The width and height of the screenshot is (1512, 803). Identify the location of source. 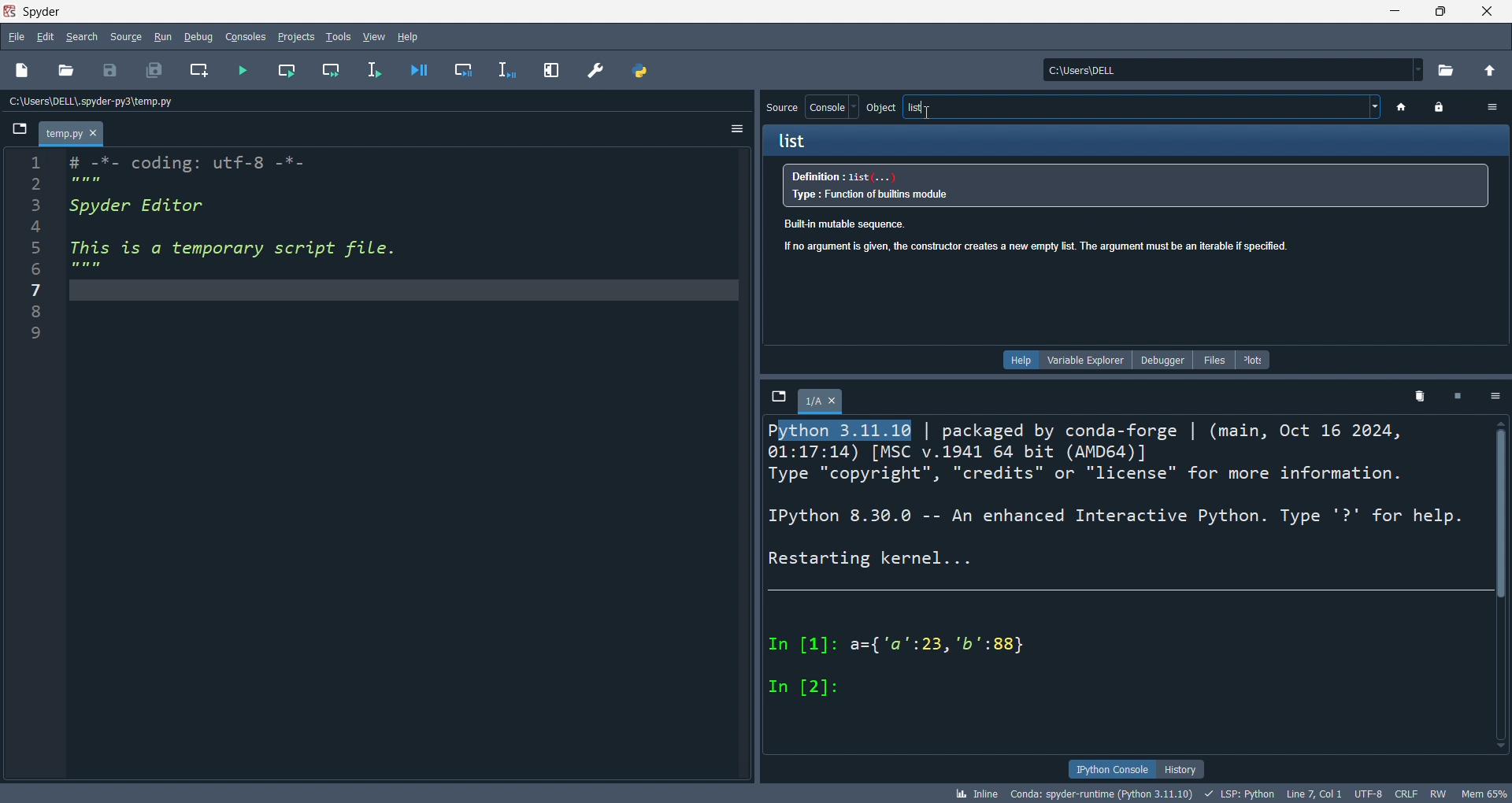
(782, 107).